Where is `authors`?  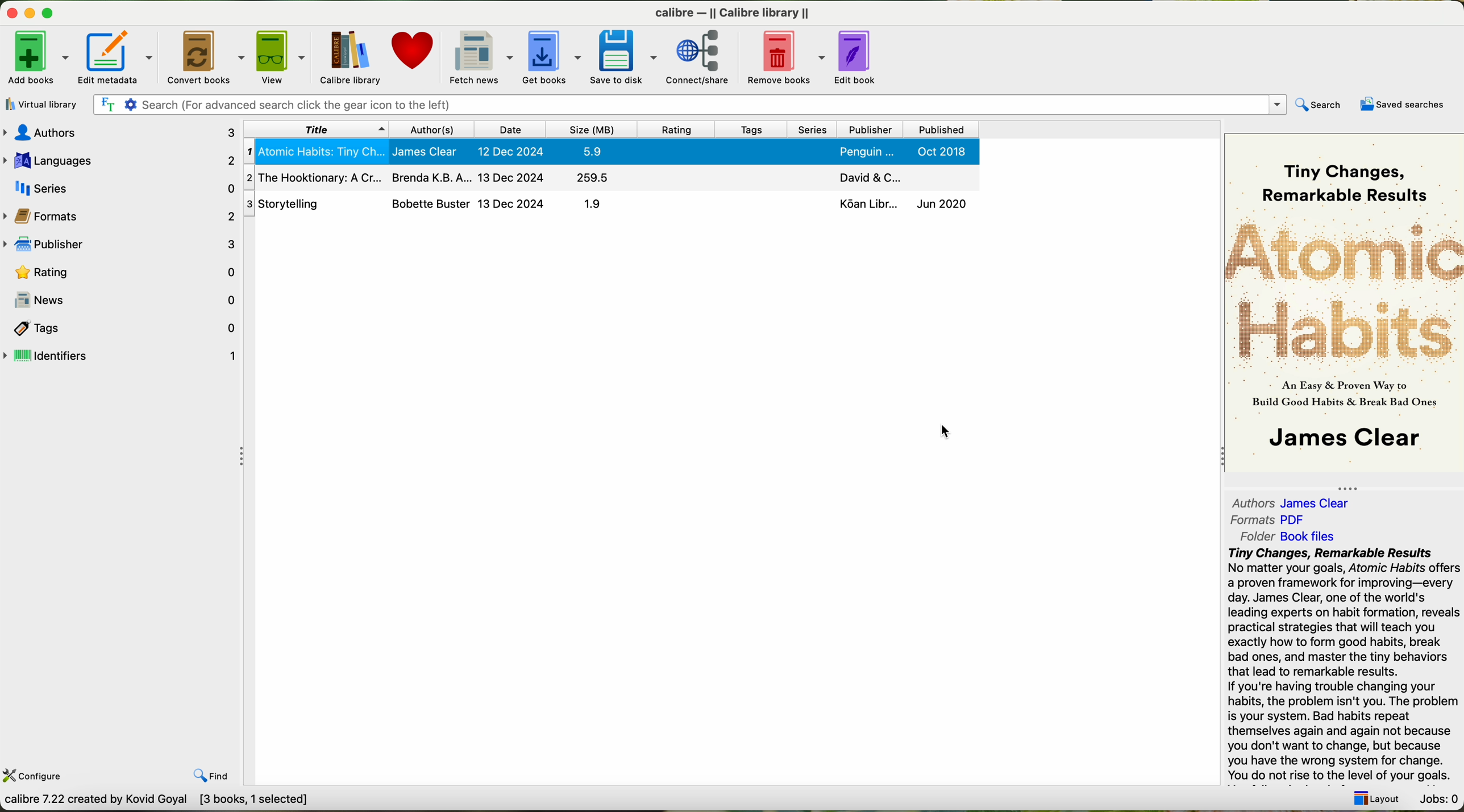
authors is located at coordinates (122, 130).